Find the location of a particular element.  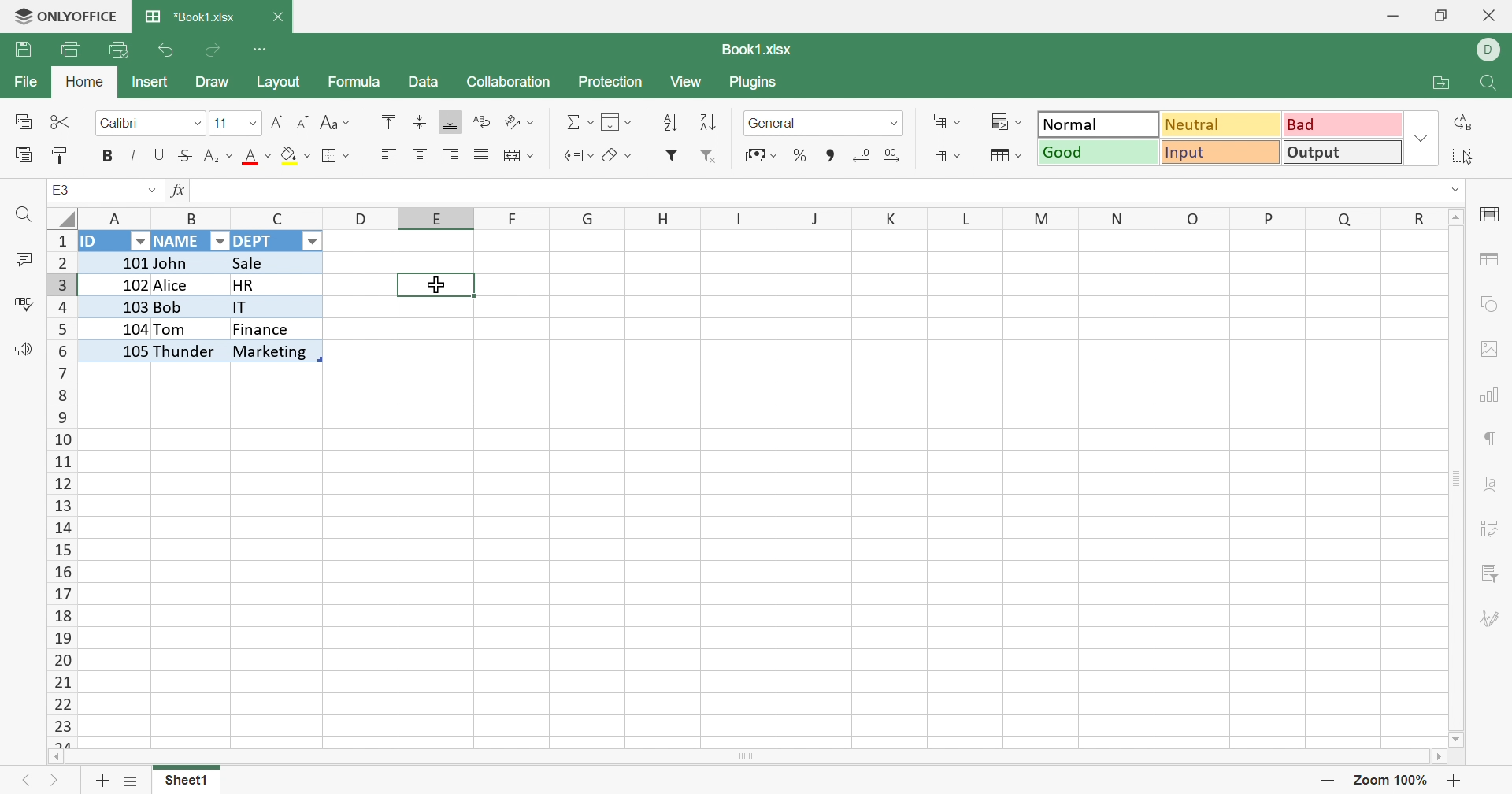

Normal is located at coordinates (1102, 126).